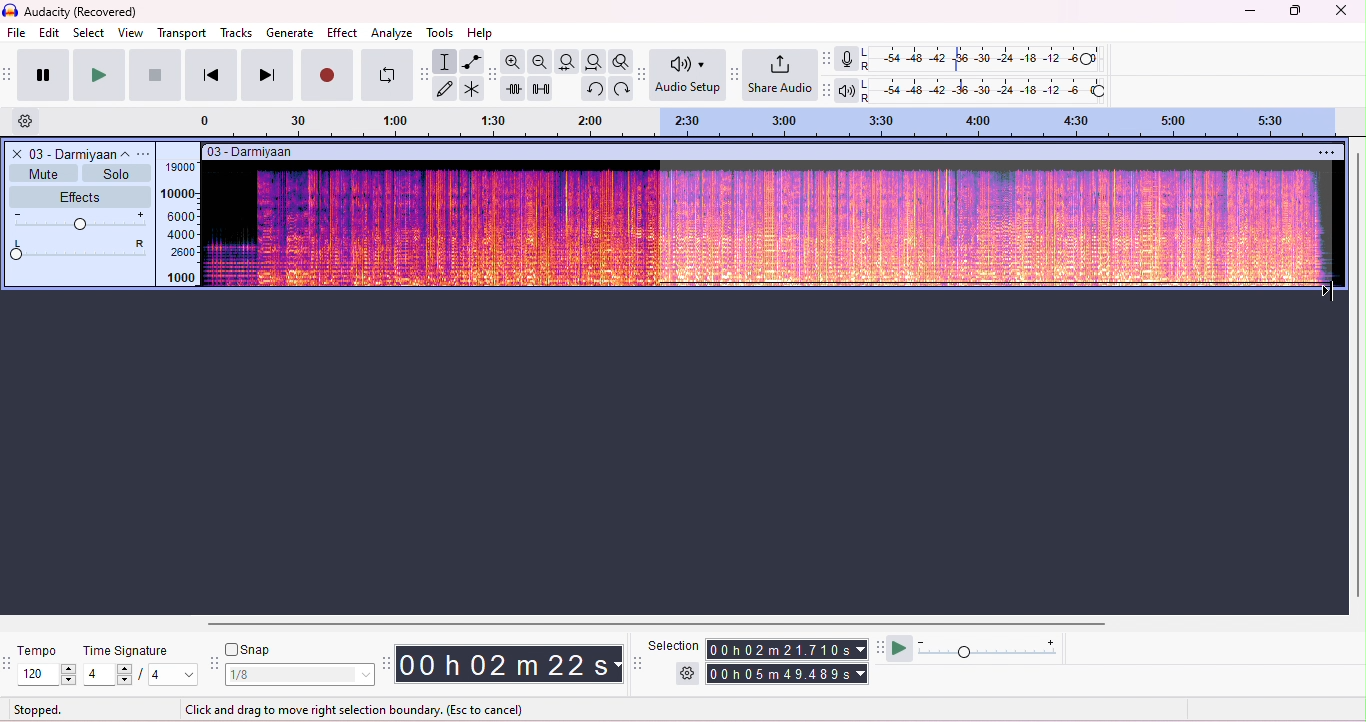 This screenshot has width=1366, height=722. What do you see at coordinates (848, 59) in the screenshot?
I see `recording meter` at bounding box center [848, 59].